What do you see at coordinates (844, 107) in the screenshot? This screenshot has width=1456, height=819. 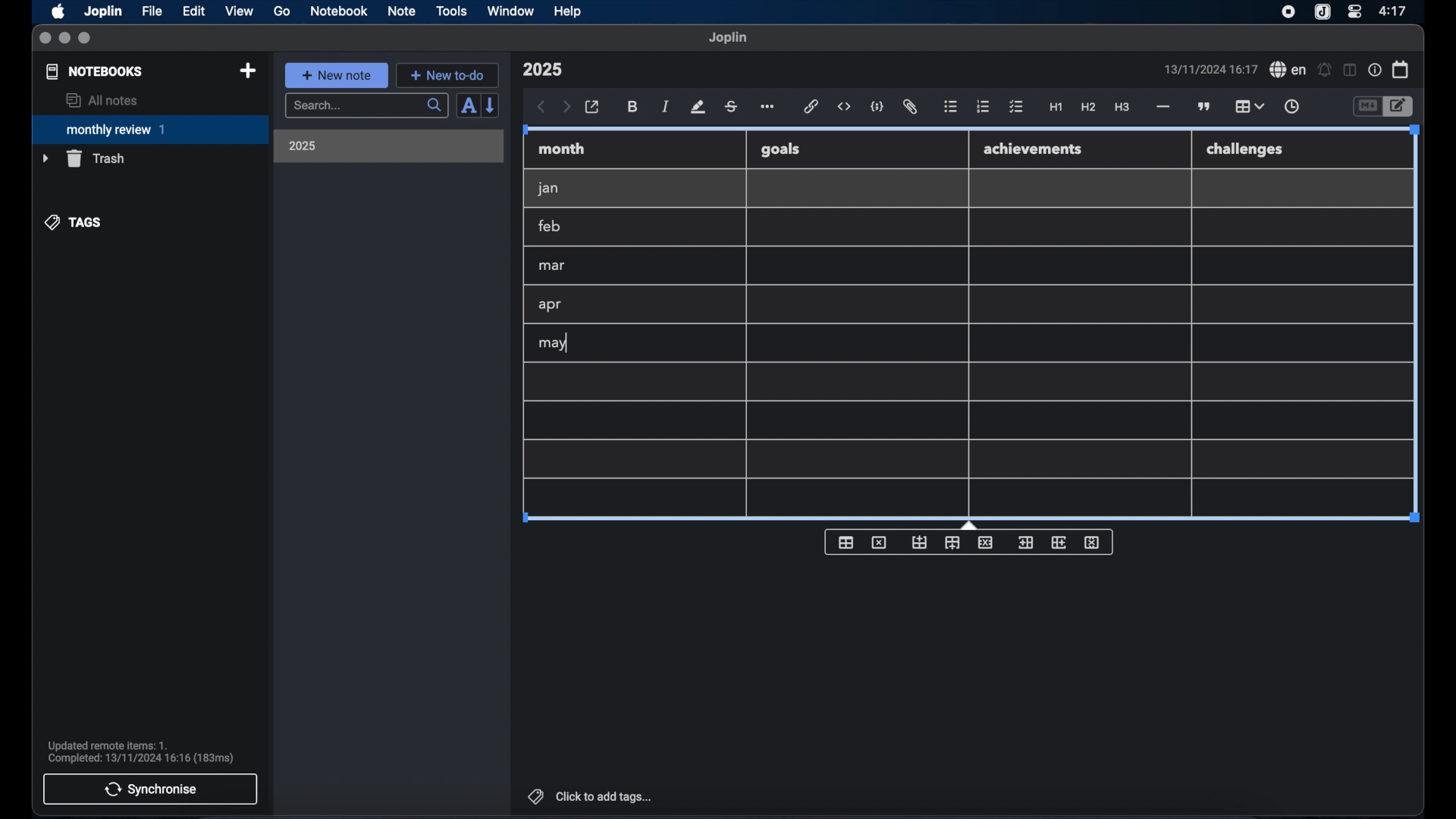 I see `inline code` at bounding box center [844, 107].